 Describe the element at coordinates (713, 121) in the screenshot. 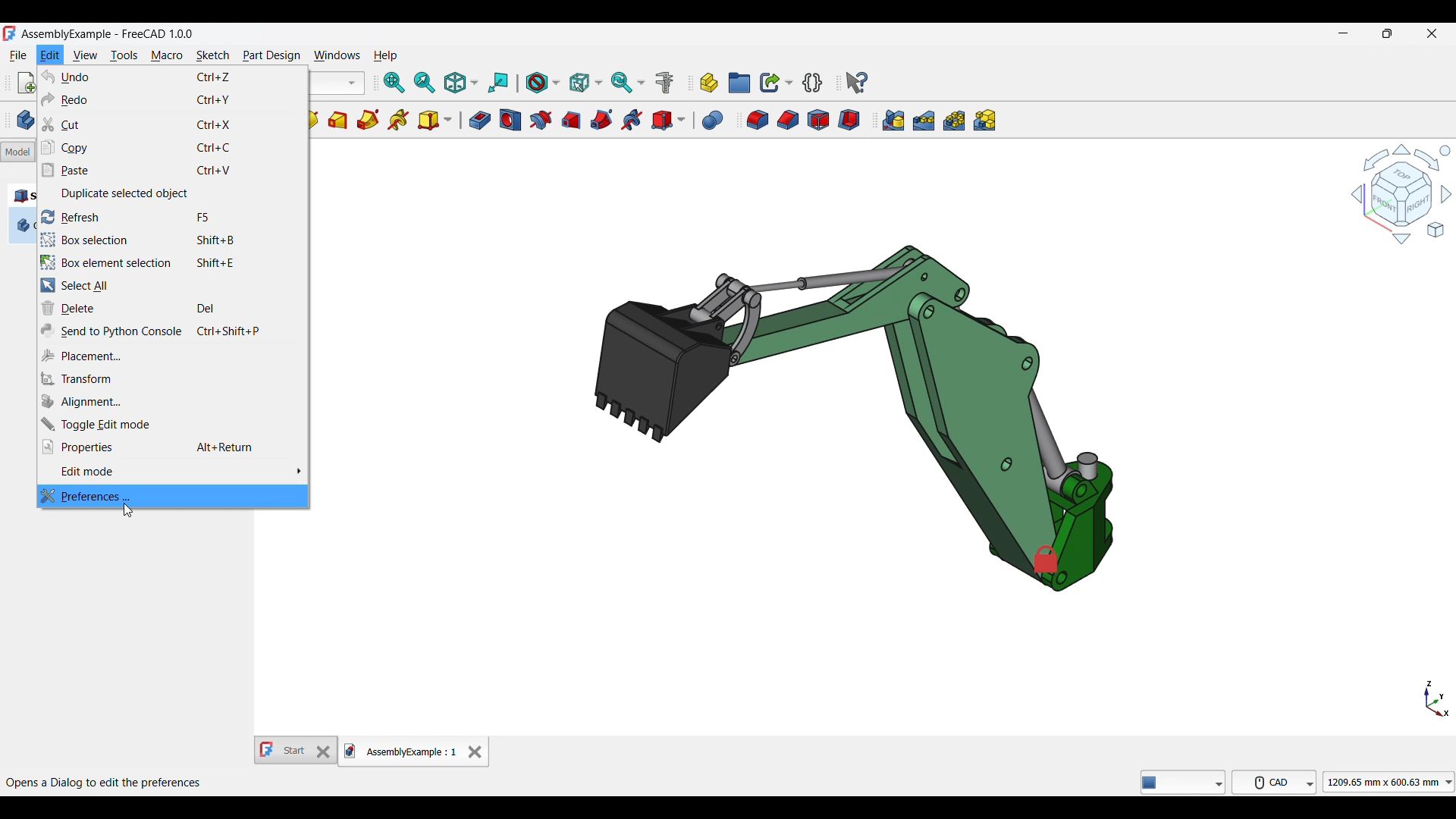

I see `Boolean operation` at that location.